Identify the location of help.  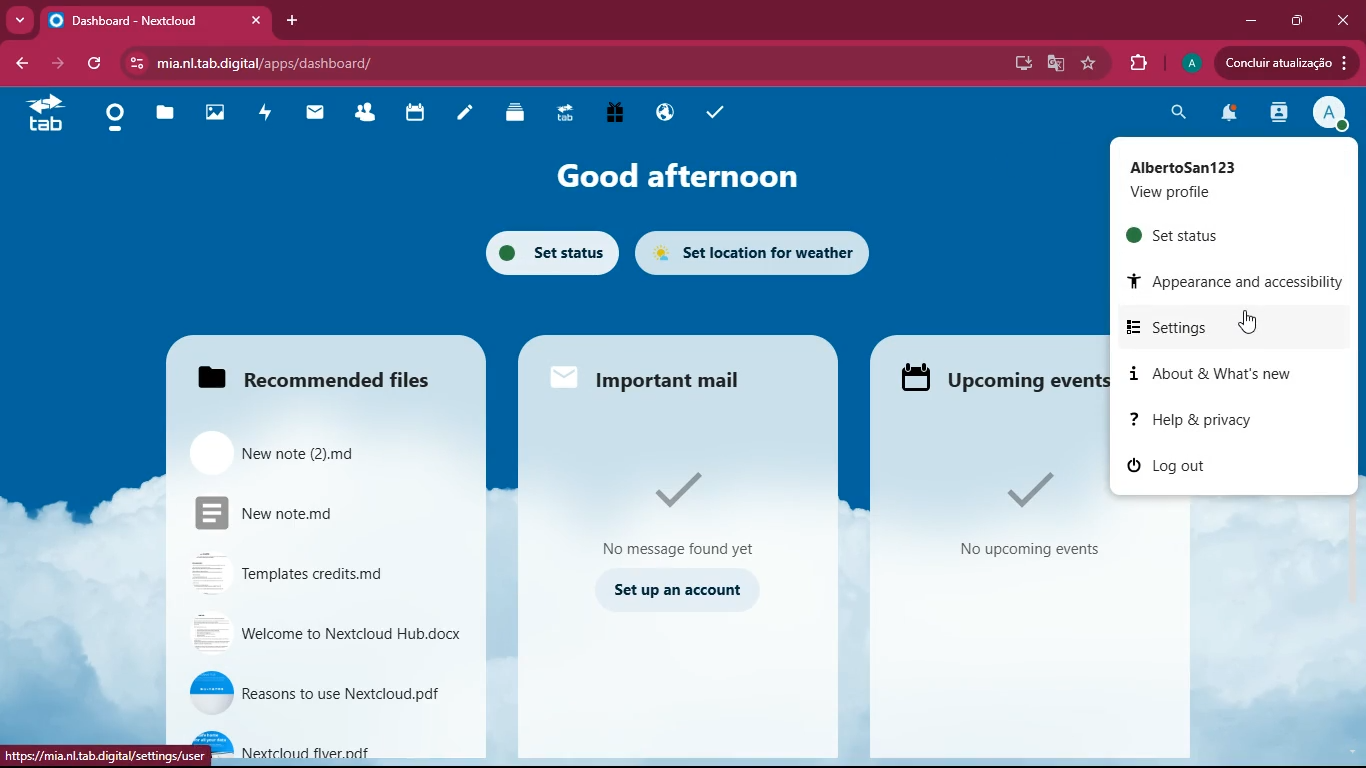
(1221, 420).